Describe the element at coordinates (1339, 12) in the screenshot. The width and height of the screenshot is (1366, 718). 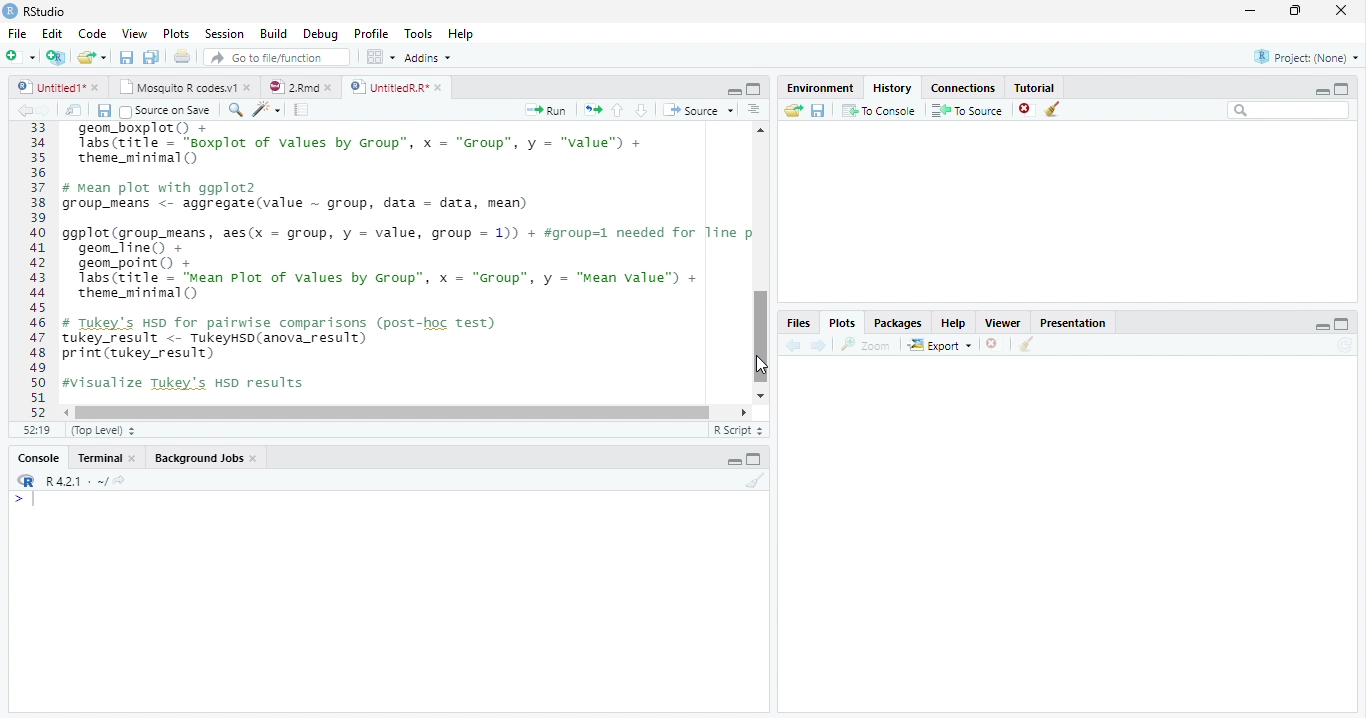
I see `Close` at that location.